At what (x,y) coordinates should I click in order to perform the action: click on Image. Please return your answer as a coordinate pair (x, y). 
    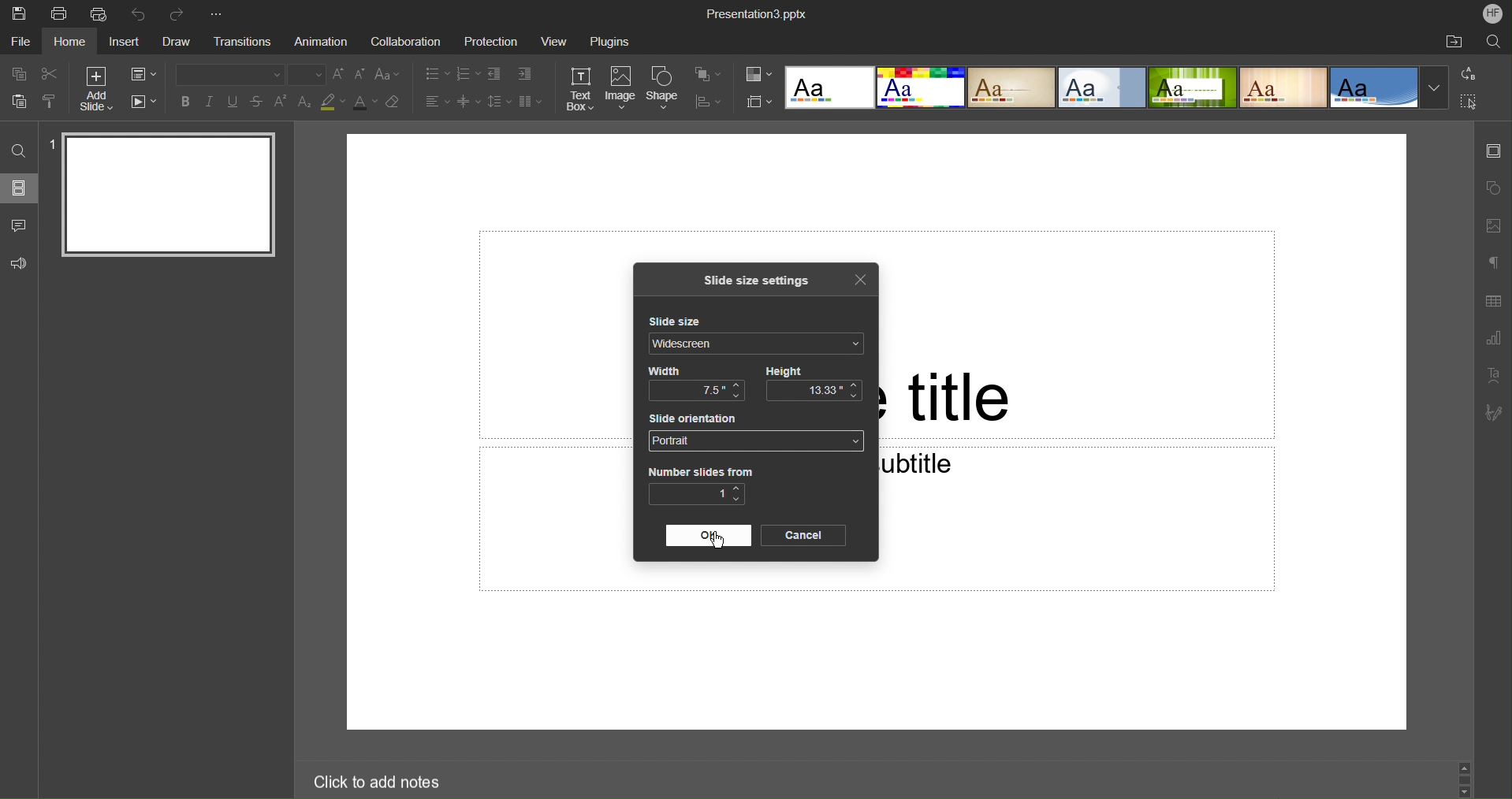
    Looking at the image, I should click on (621, 89).